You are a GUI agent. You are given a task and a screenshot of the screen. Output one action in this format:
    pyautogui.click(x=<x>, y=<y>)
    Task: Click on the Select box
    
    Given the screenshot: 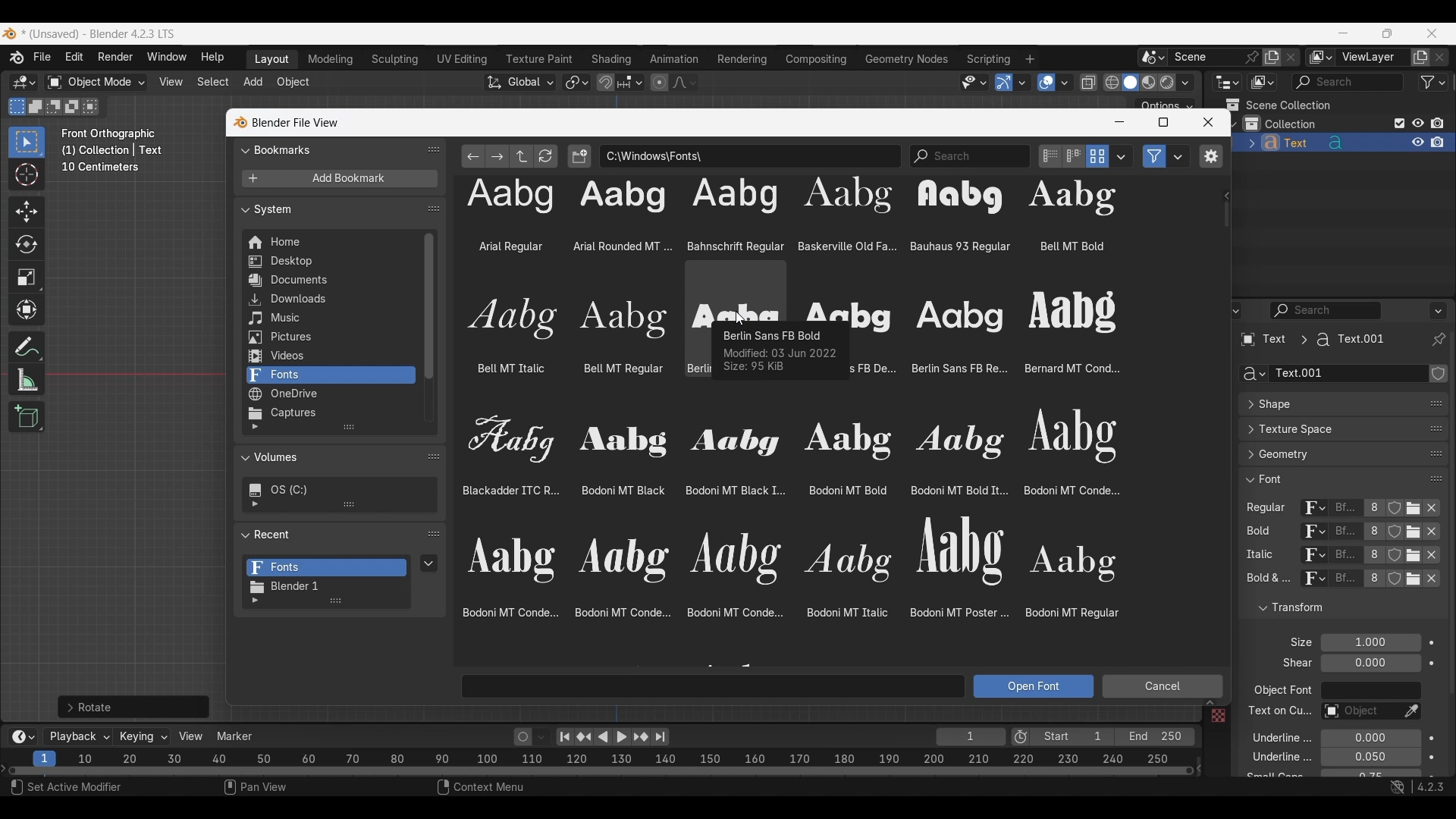 What is the action you would take?
    pyautogui.click(x=27, y=142)
    